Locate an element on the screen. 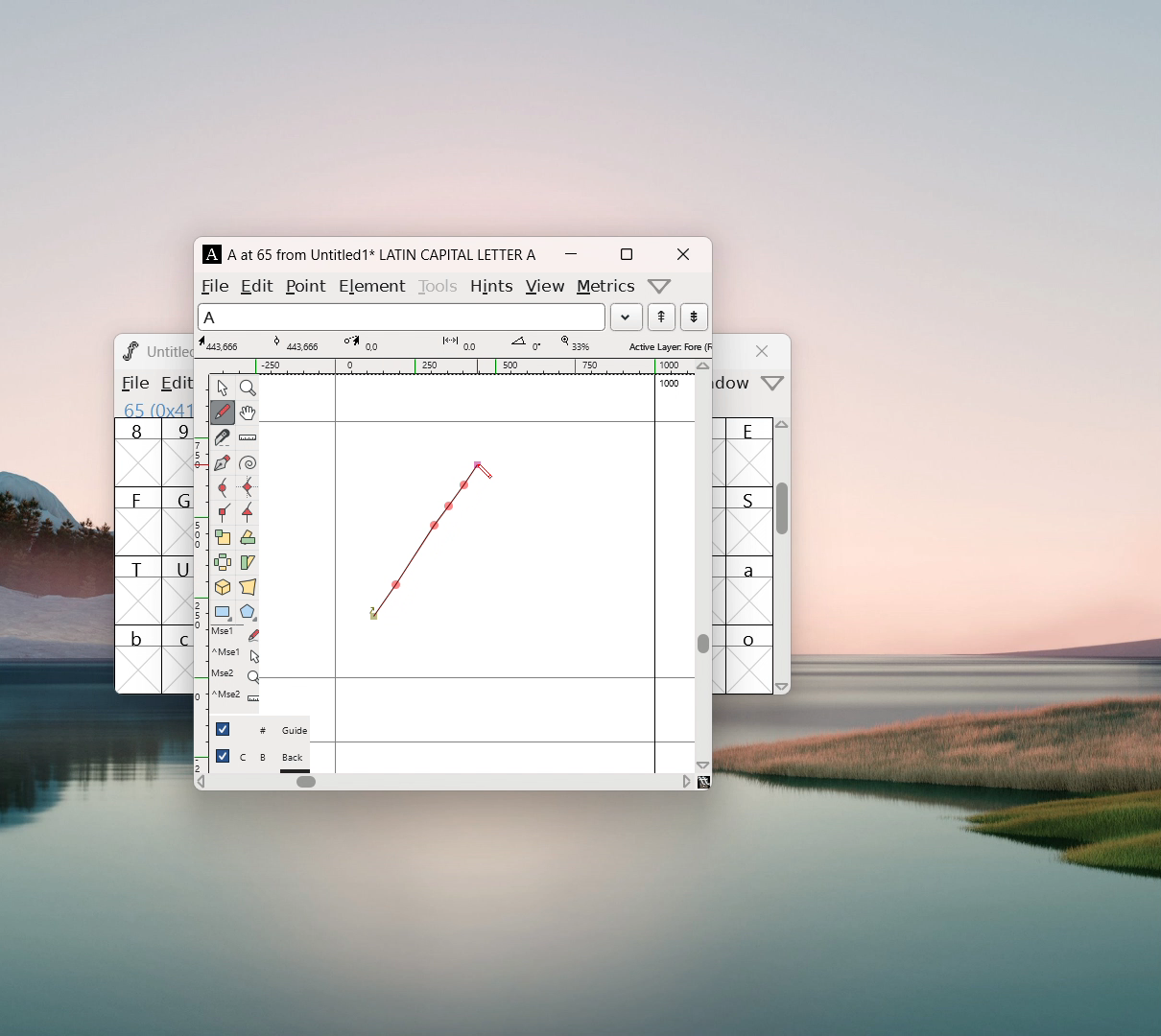 This screenshot has width=1161, height=1036. F is located at coordinates (138, 521).